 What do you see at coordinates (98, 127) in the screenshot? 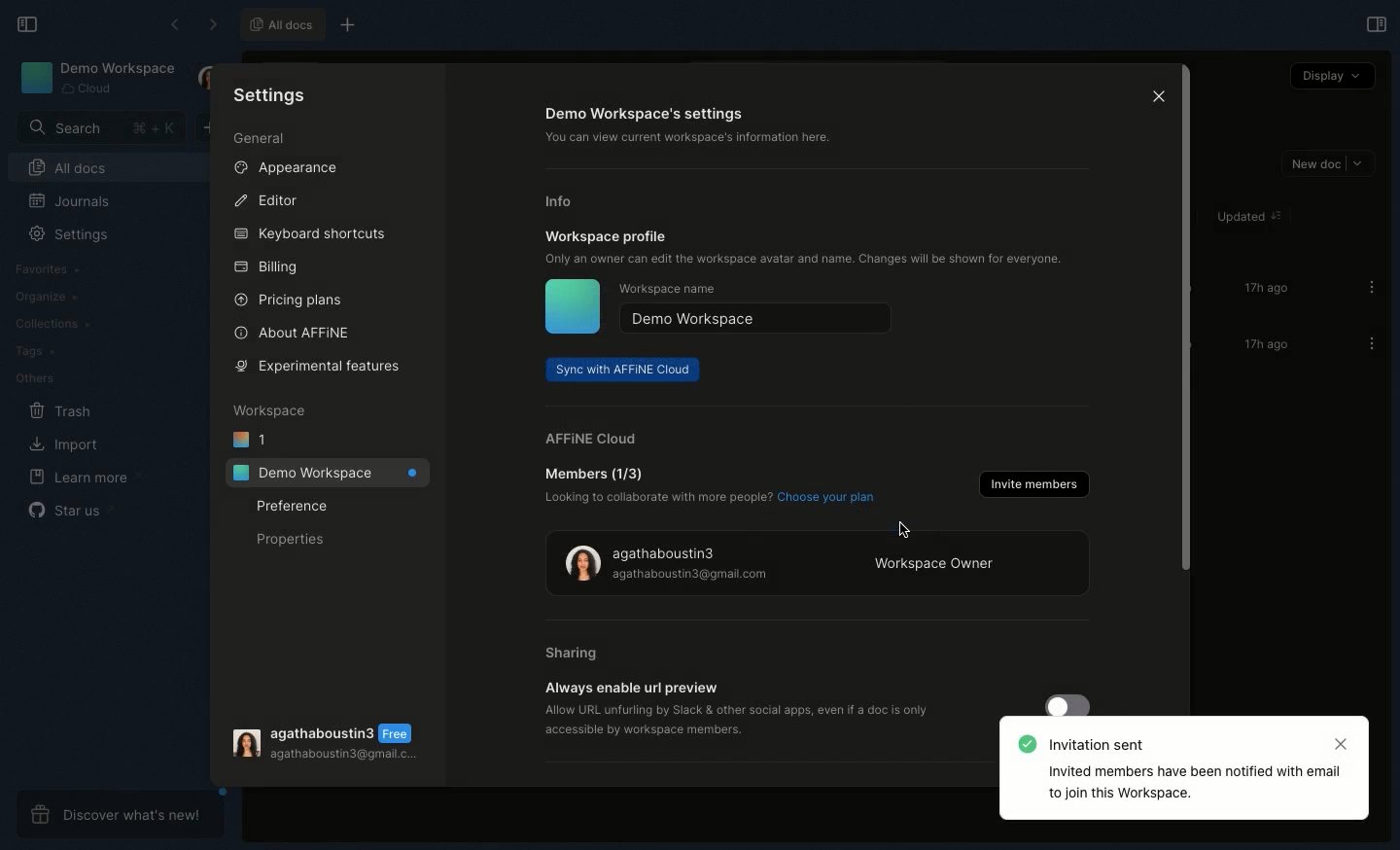
I see `Search` at bounding box center [98, 127].